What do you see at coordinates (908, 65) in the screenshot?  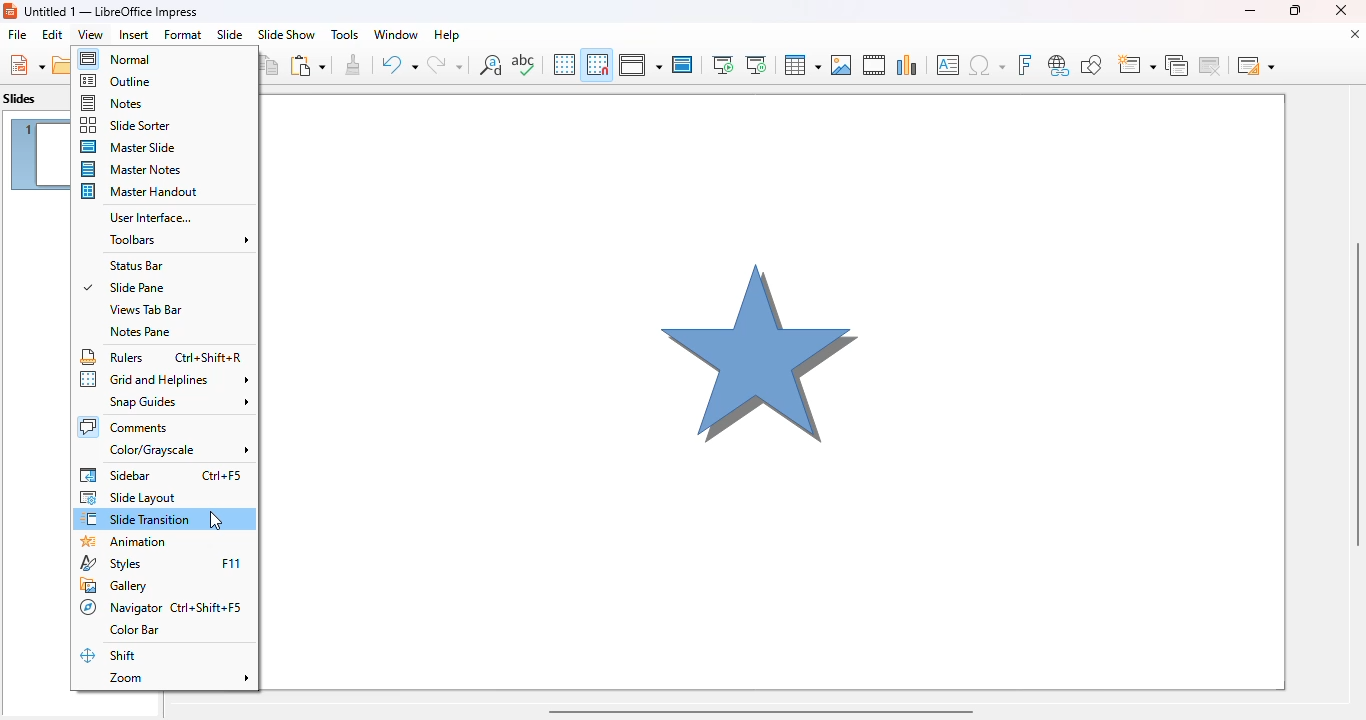 I see `insert chart` at bounding box center [908, 65].